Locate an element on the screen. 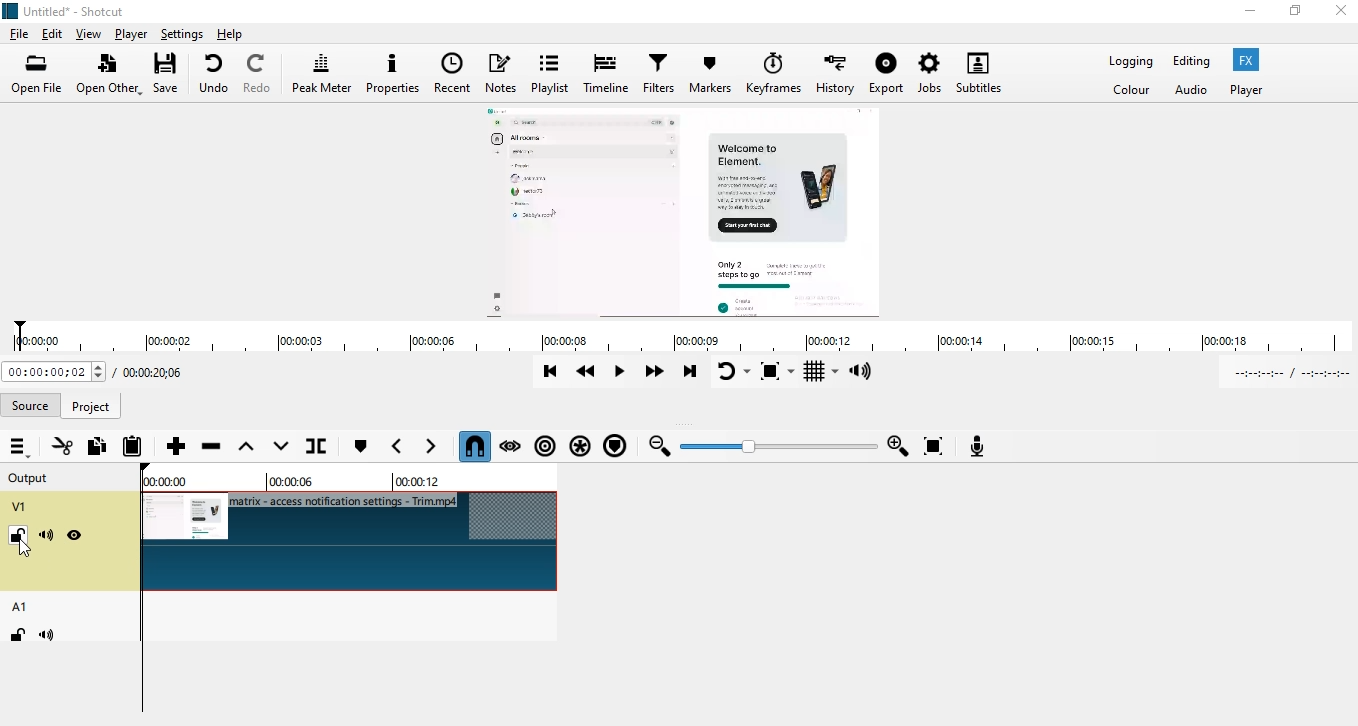 This screenshot has height=726, width=1358. colour is located at coordinates (1132, 92).